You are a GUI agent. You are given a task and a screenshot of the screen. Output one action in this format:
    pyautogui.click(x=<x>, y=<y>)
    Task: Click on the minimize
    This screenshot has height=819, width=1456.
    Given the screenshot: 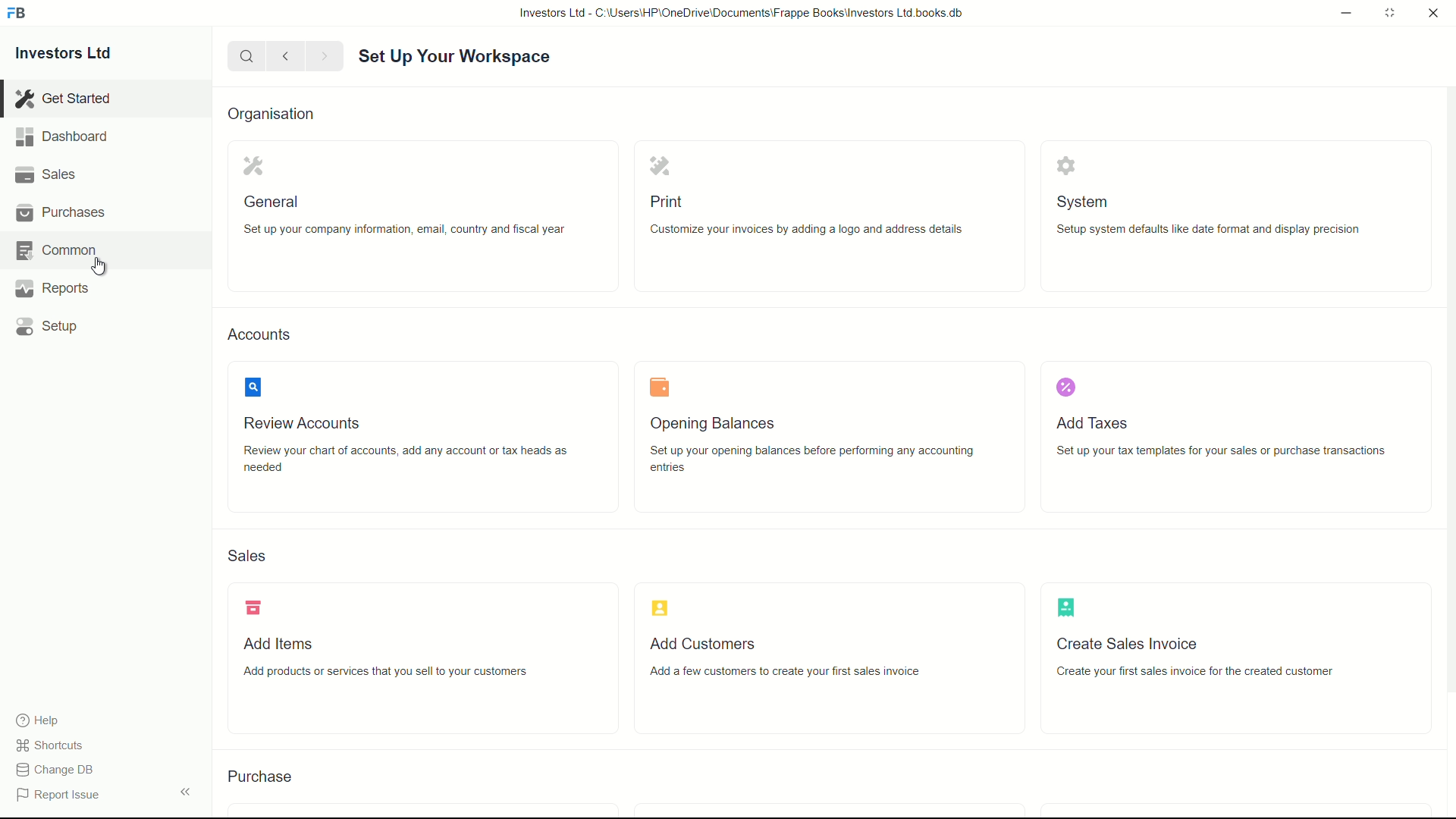 What is the action you would take?
    pyautogui.click(x=1342, y=11)
    